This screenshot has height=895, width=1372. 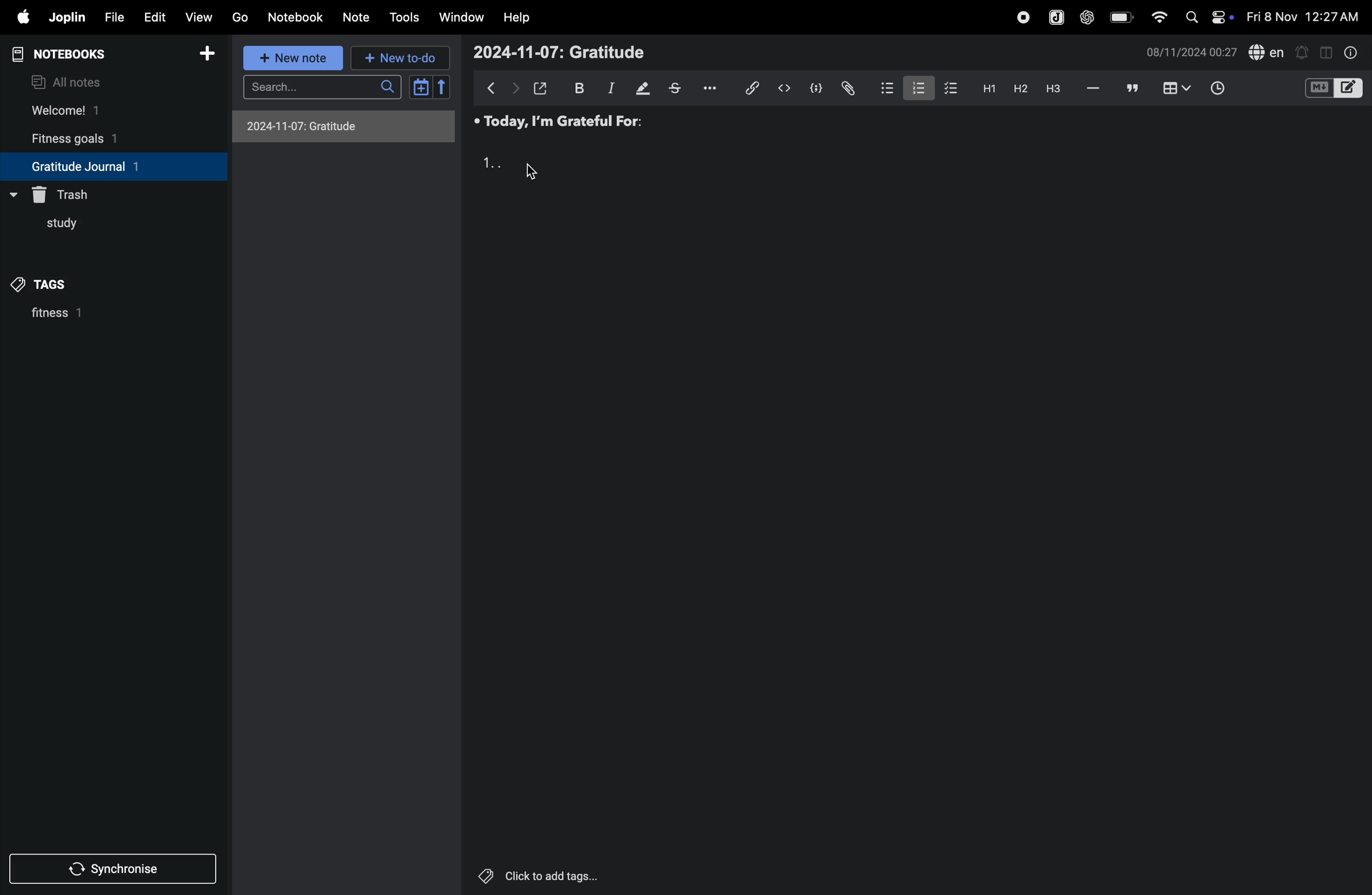 What do you see at coordinates (1178, 88) in the screenshot?
I see `table view` at bounding box center [1178, 88].